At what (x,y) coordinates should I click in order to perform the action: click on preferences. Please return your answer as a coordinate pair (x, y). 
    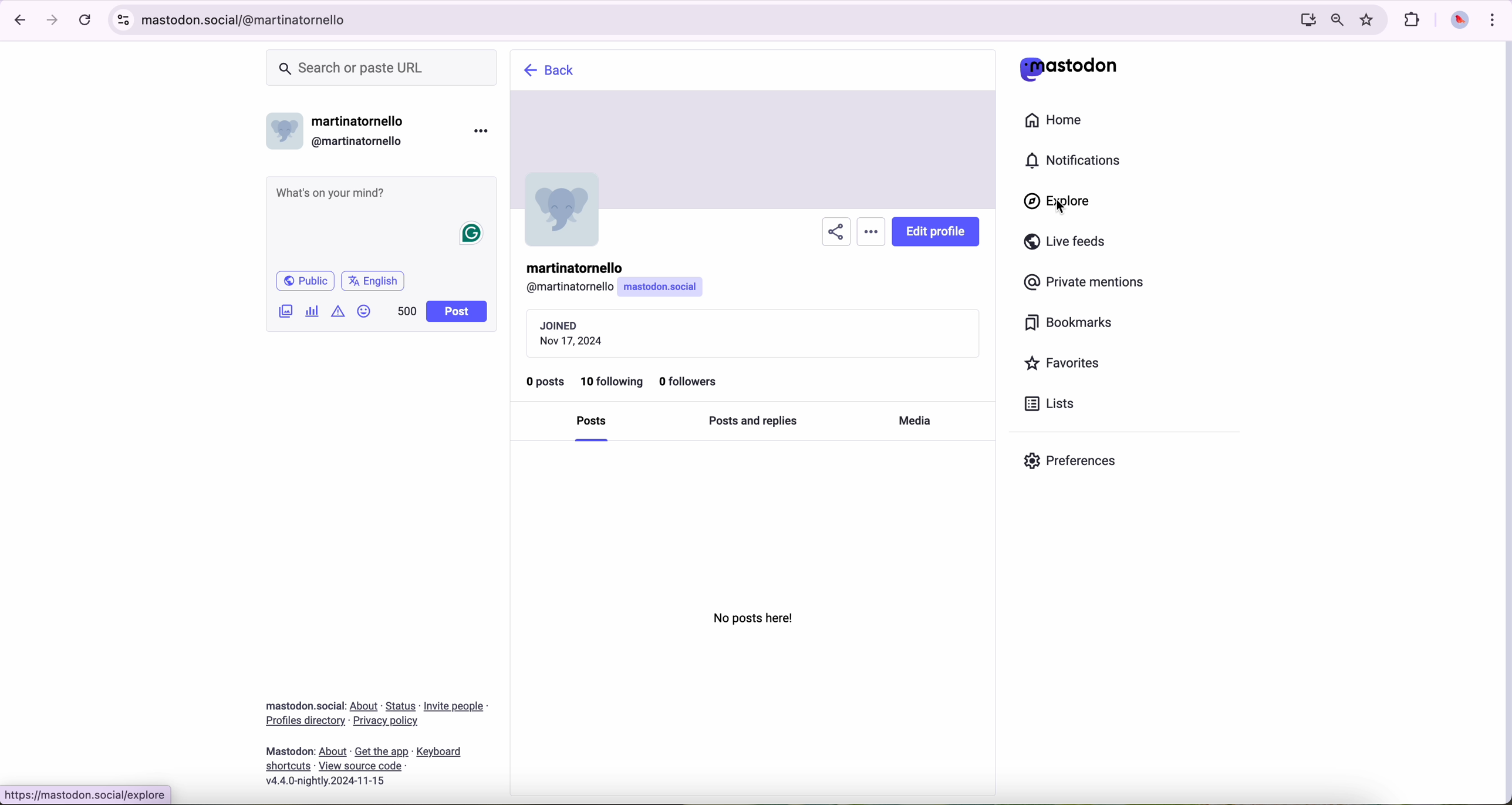
    Looking at the image, I should click on (1072, 462).